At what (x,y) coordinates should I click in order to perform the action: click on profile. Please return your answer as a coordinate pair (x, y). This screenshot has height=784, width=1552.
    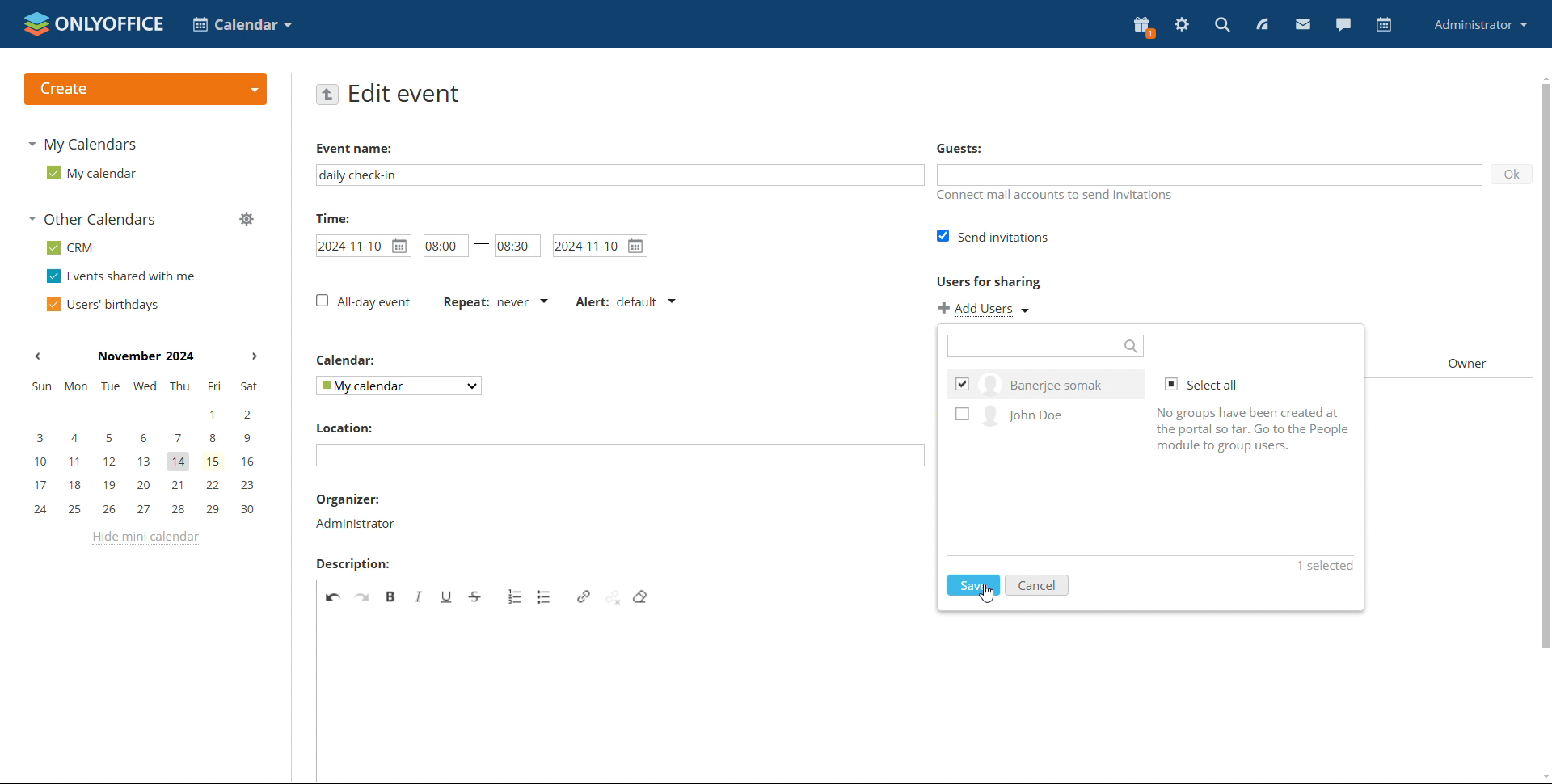
    Looking at the image, I should click on (1482, 24).